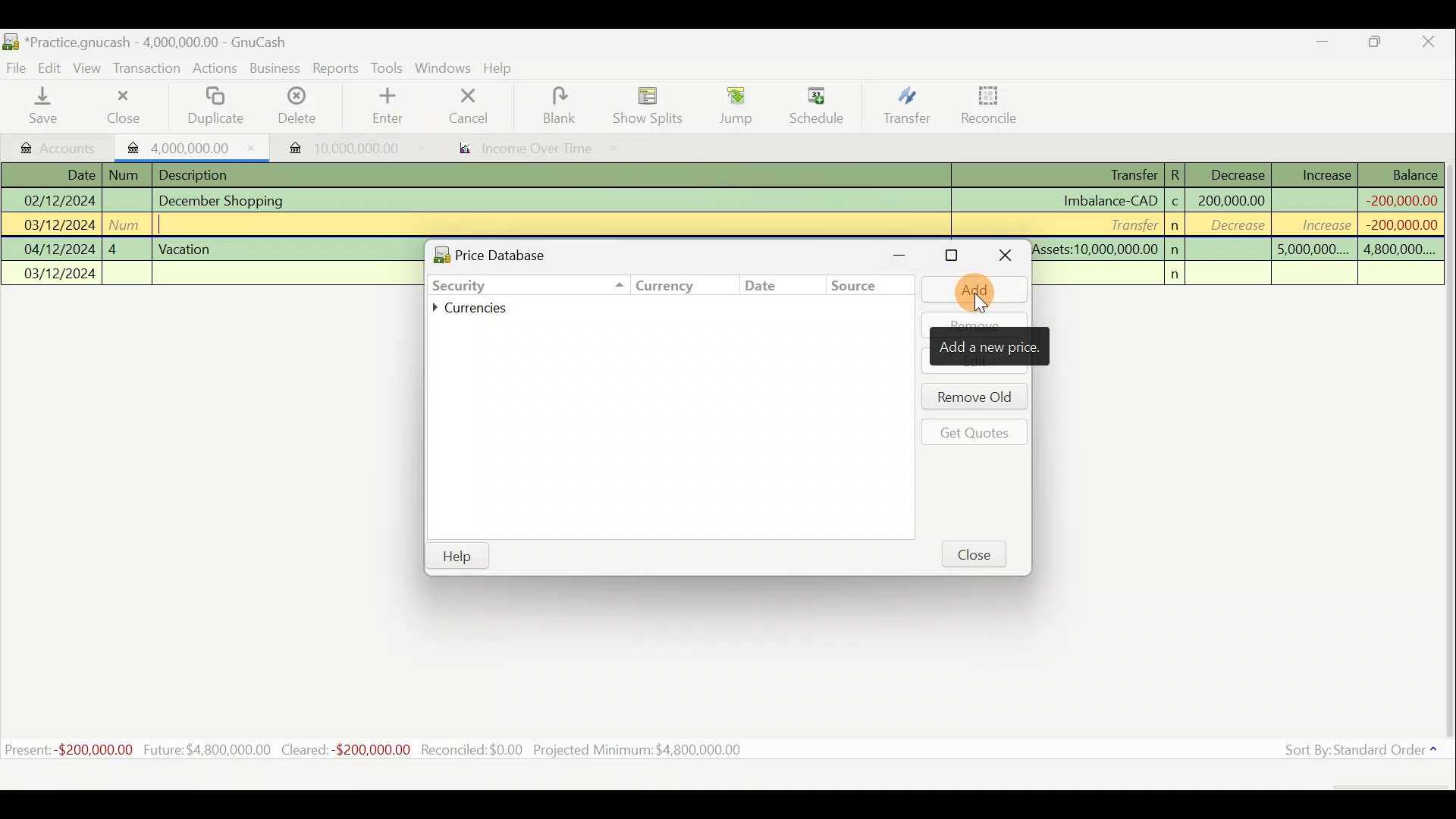 Image resolution: width=1456 pixels, height=819 pixels. I want to click on Reports, so click(335, 68).